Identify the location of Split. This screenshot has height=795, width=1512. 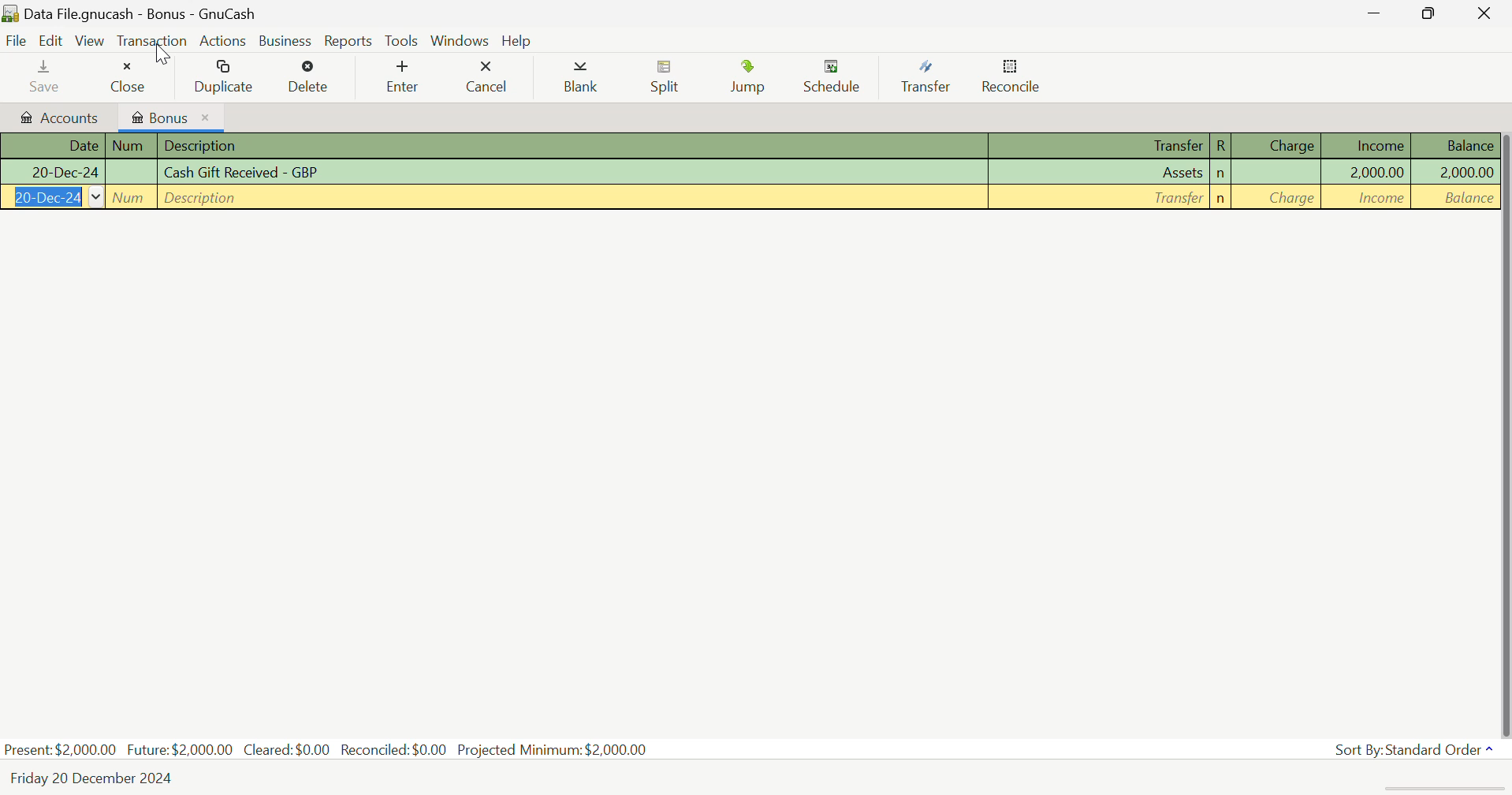
(666, 79).